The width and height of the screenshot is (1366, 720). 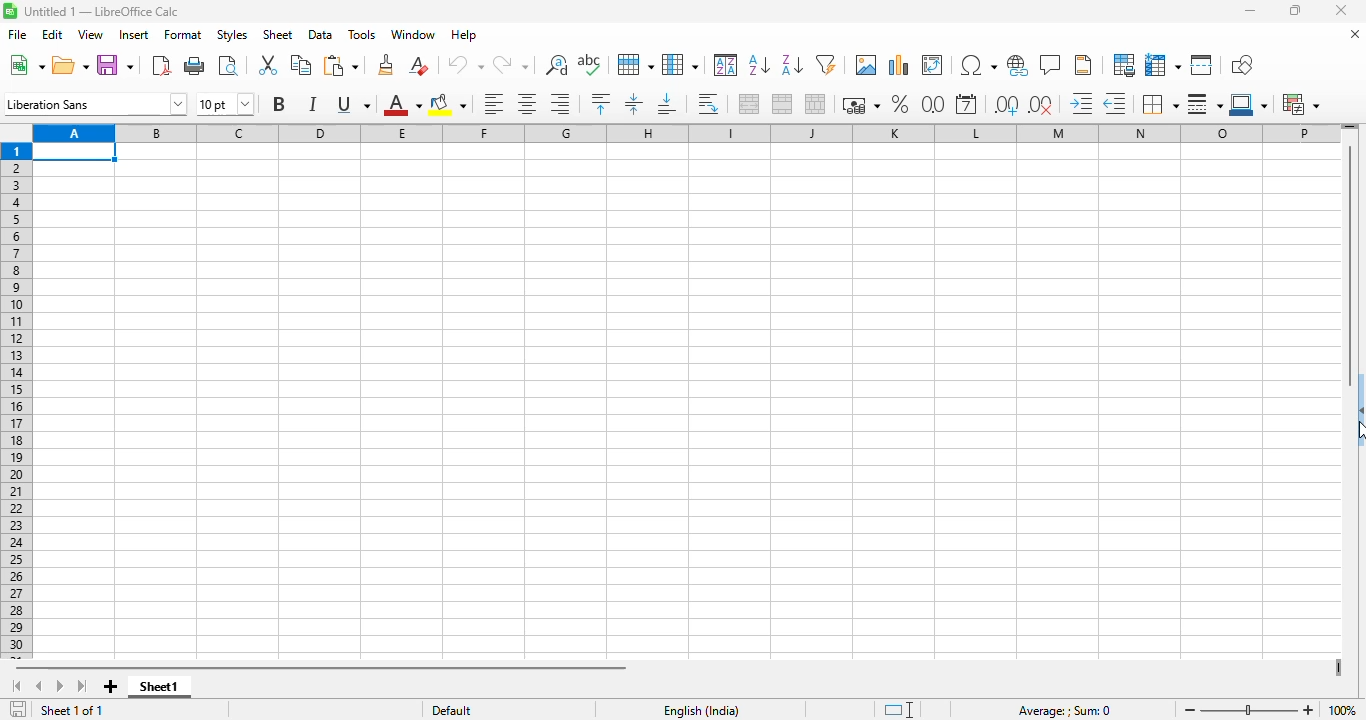 What do you see at coordinates (267, 65) in the screenshot?
I see `cut` at bounding box center [267, 65].